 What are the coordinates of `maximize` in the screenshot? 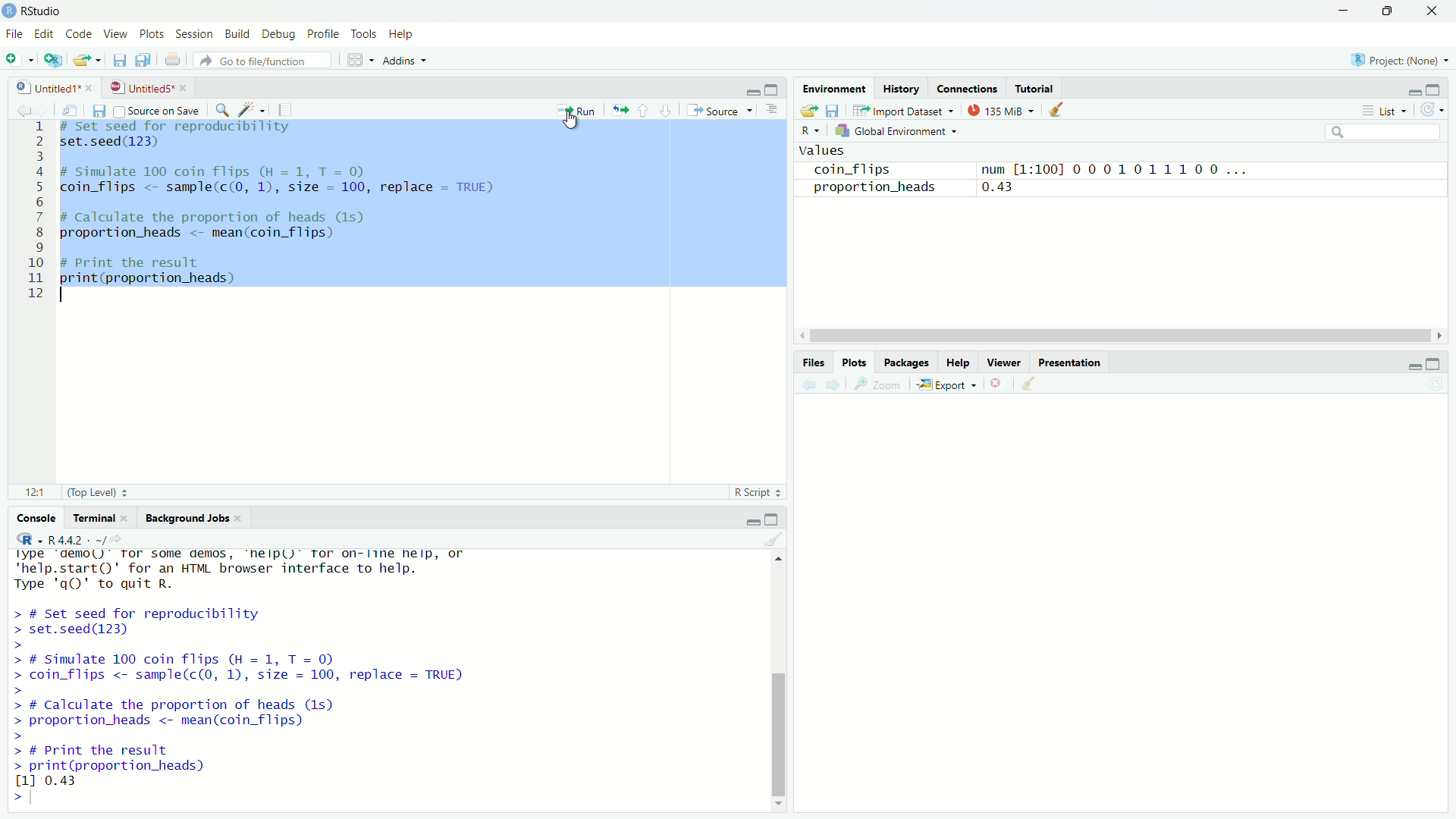 It's located at (1439, 363).